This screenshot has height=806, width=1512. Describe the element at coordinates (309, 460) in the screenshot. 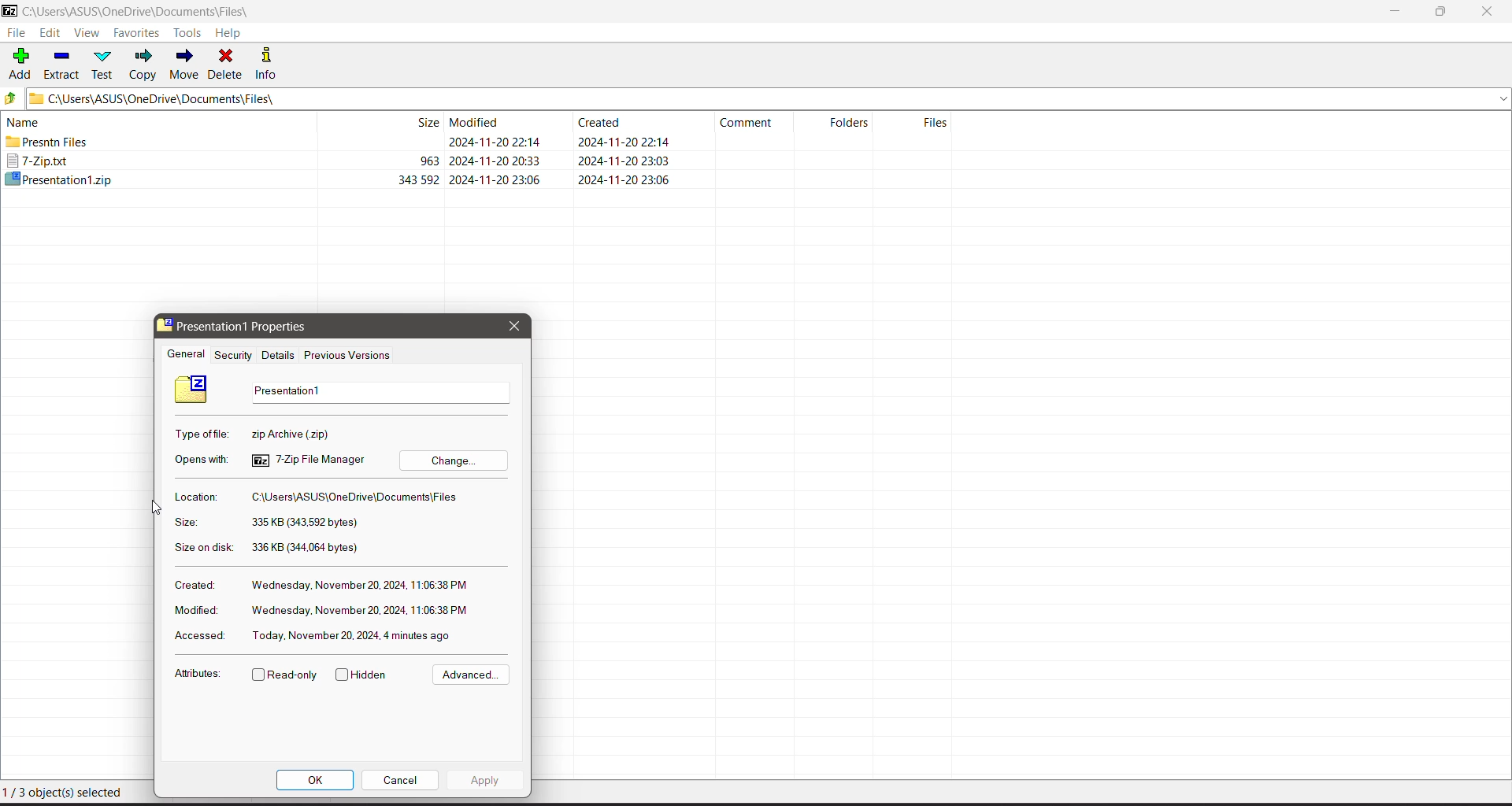

I see `7-Zip File Manager set as default app to open .zip files` at that location.